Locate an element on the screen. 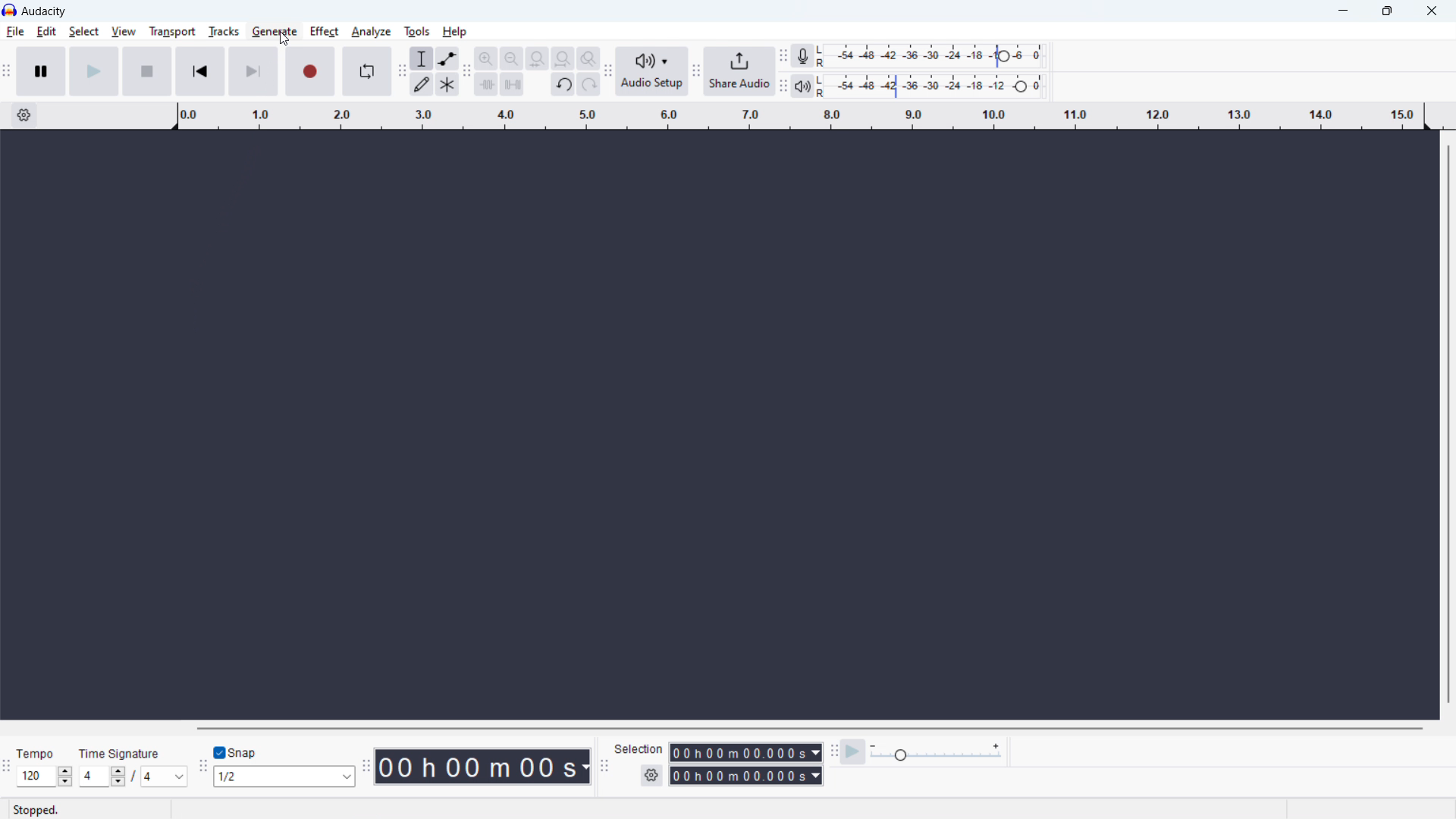 The image size is (1456, 819). play at speed toolbar is located at coordinates (834, 752).